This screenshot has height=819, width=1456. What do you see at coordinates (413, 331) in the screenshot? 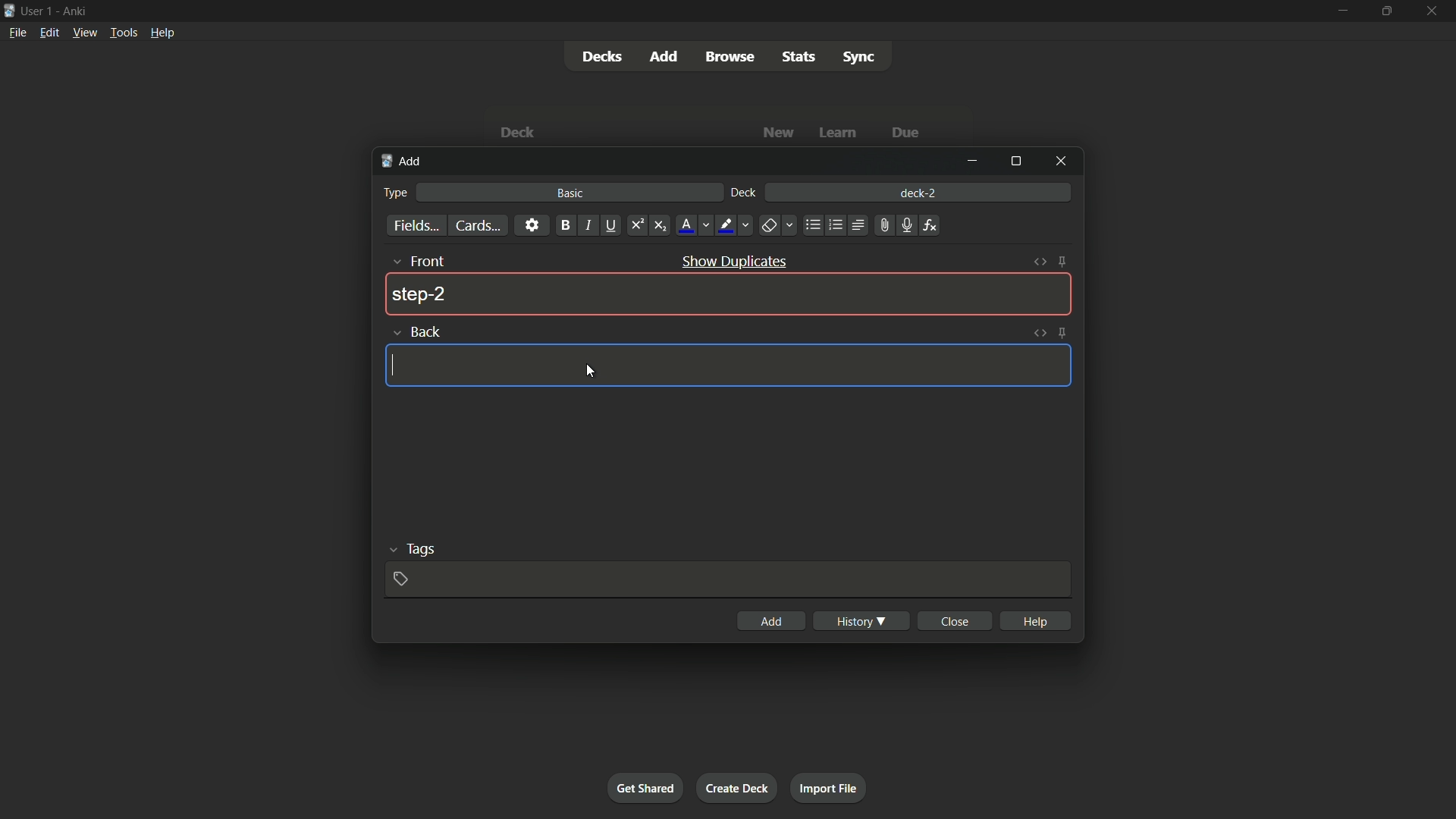
I see `back` at bounding box center [413, 331].